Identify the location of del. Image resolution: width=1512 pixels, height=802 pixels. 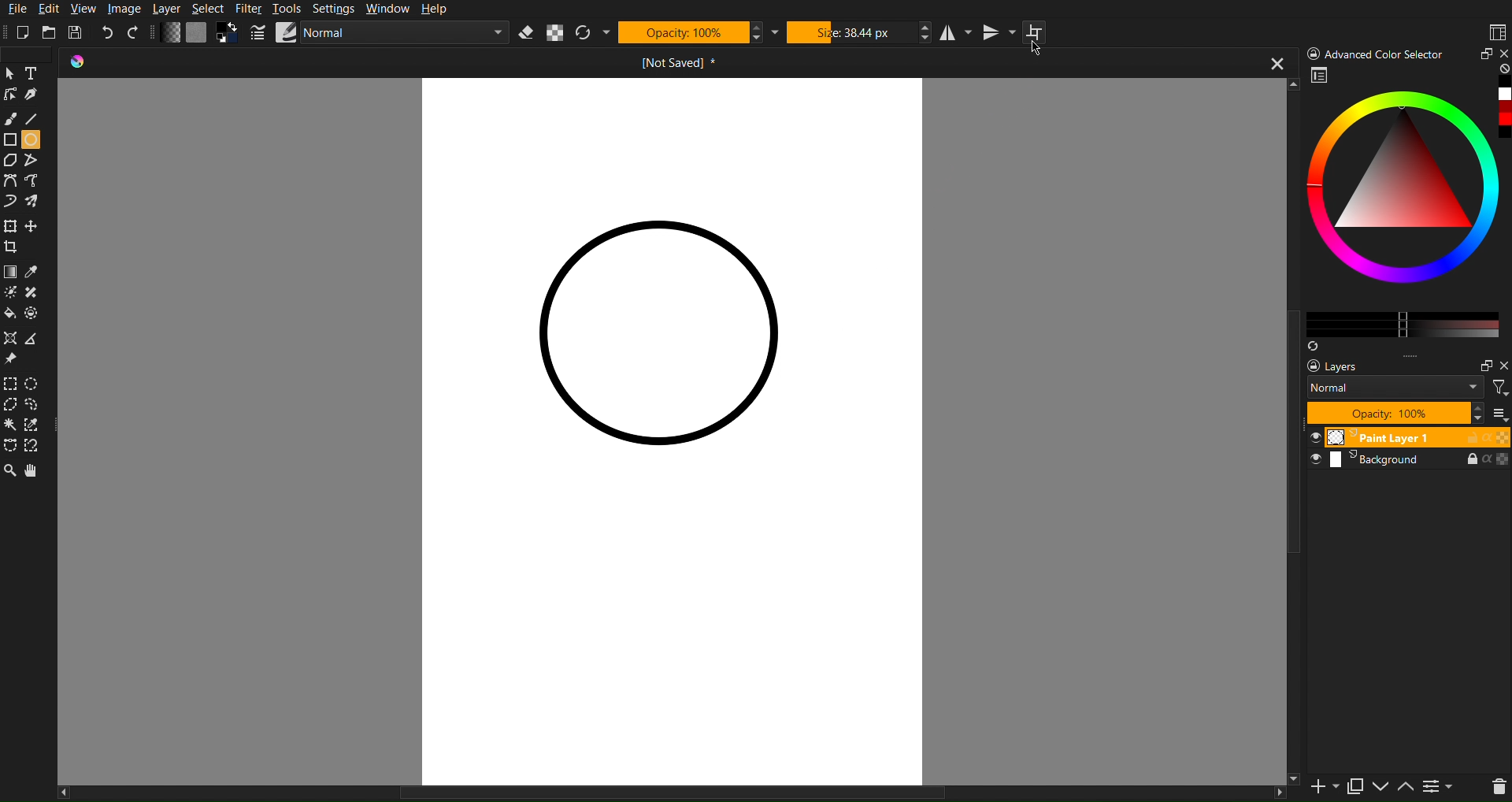
(1503, 789).